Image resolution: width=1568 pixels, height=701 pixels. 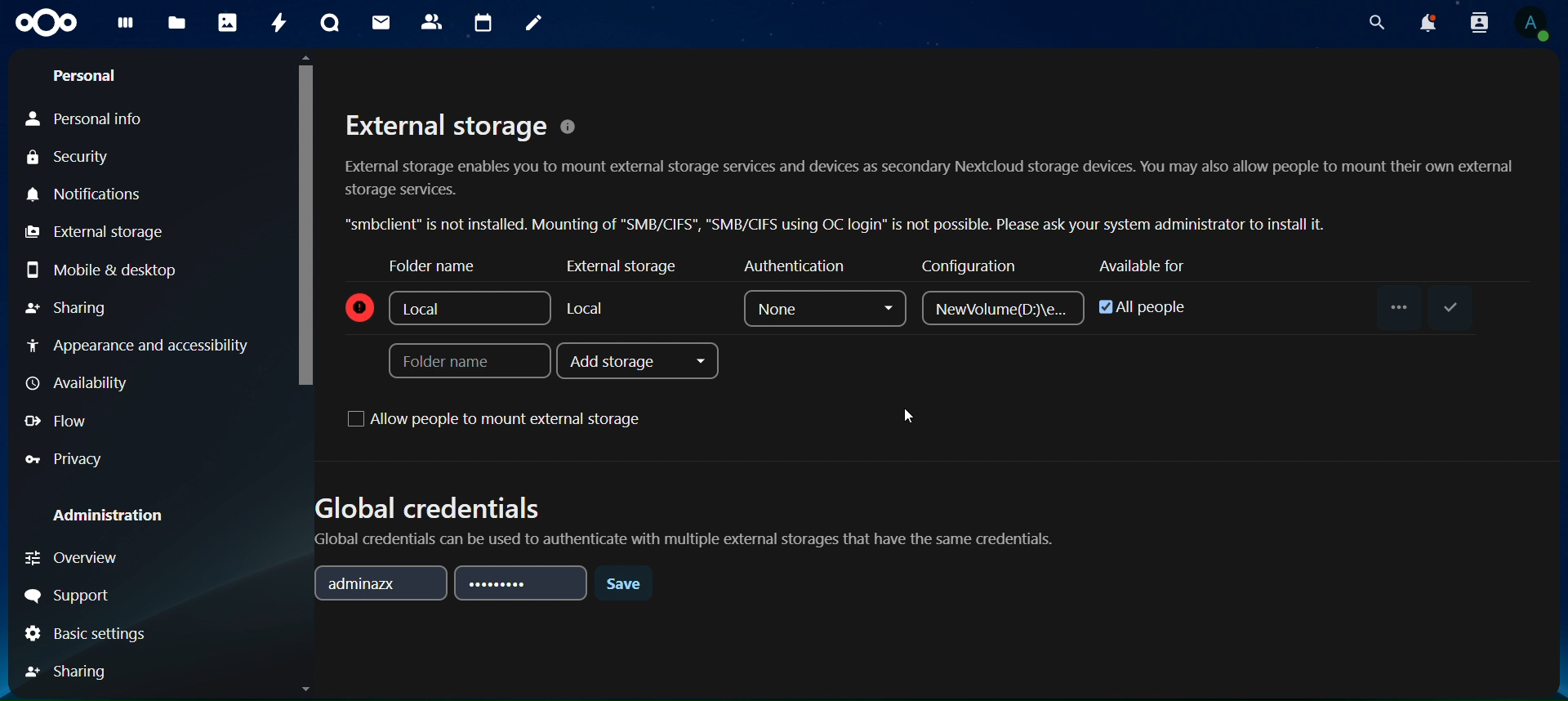 What do you see at coordinates (381, 584) in the screenshot?
I see `adminazx` at bounding box center [381, 584].